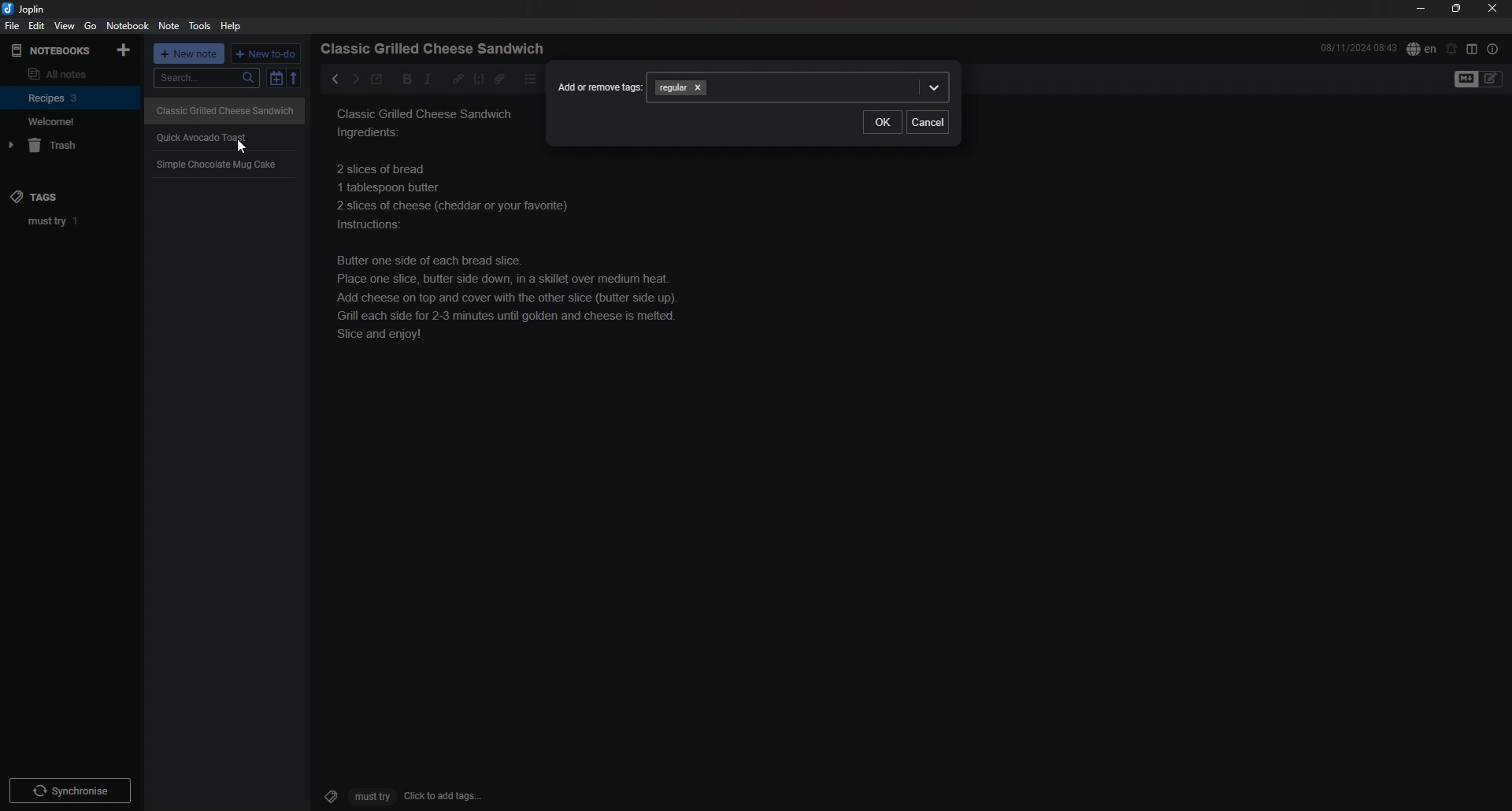 The height and width of the screenshot is (811, 1512). Describe the element at coordinates (70, 787) in the screenshot. I see `` at that location.